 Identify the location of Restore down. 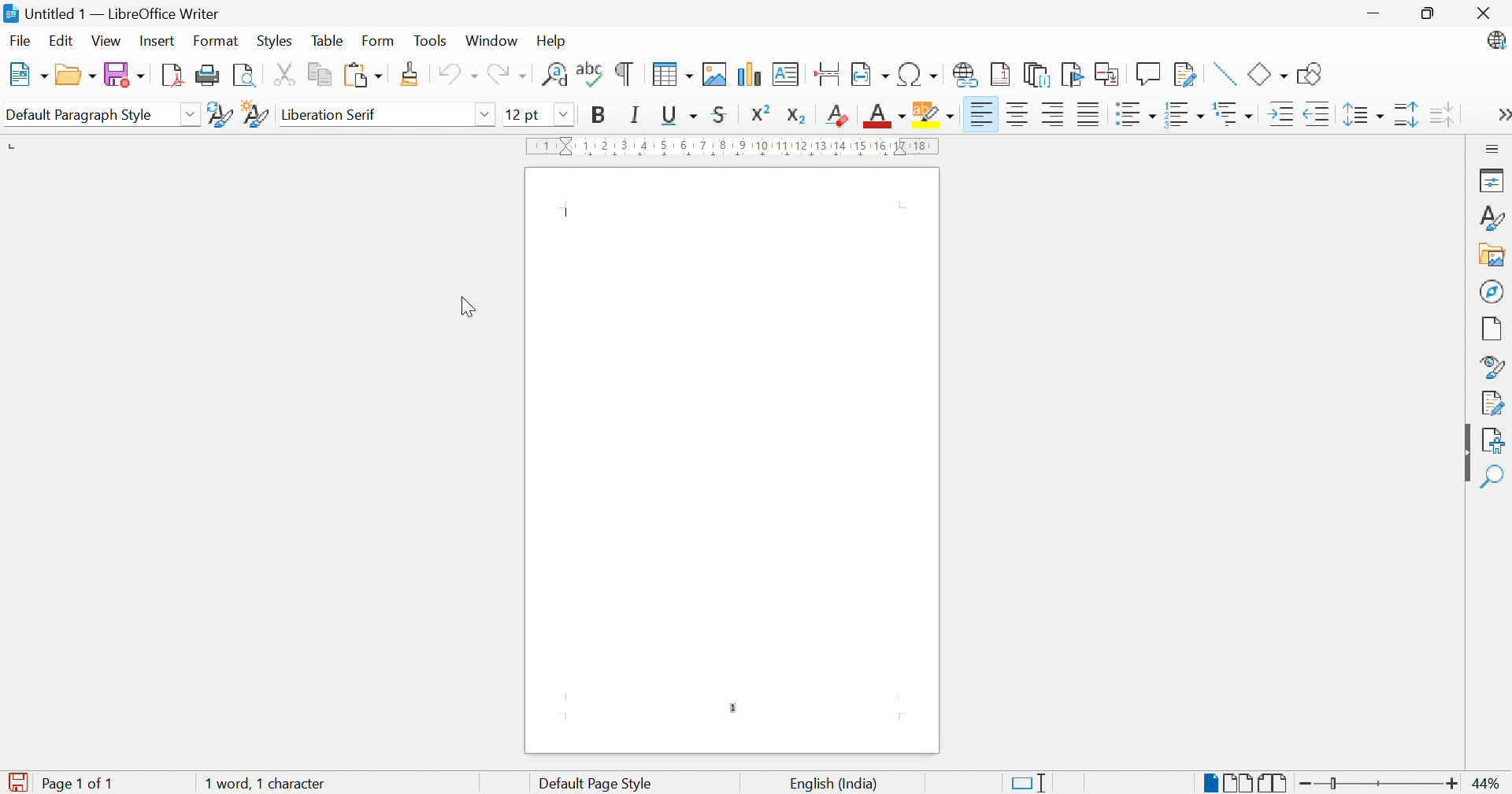
(1432, 13).